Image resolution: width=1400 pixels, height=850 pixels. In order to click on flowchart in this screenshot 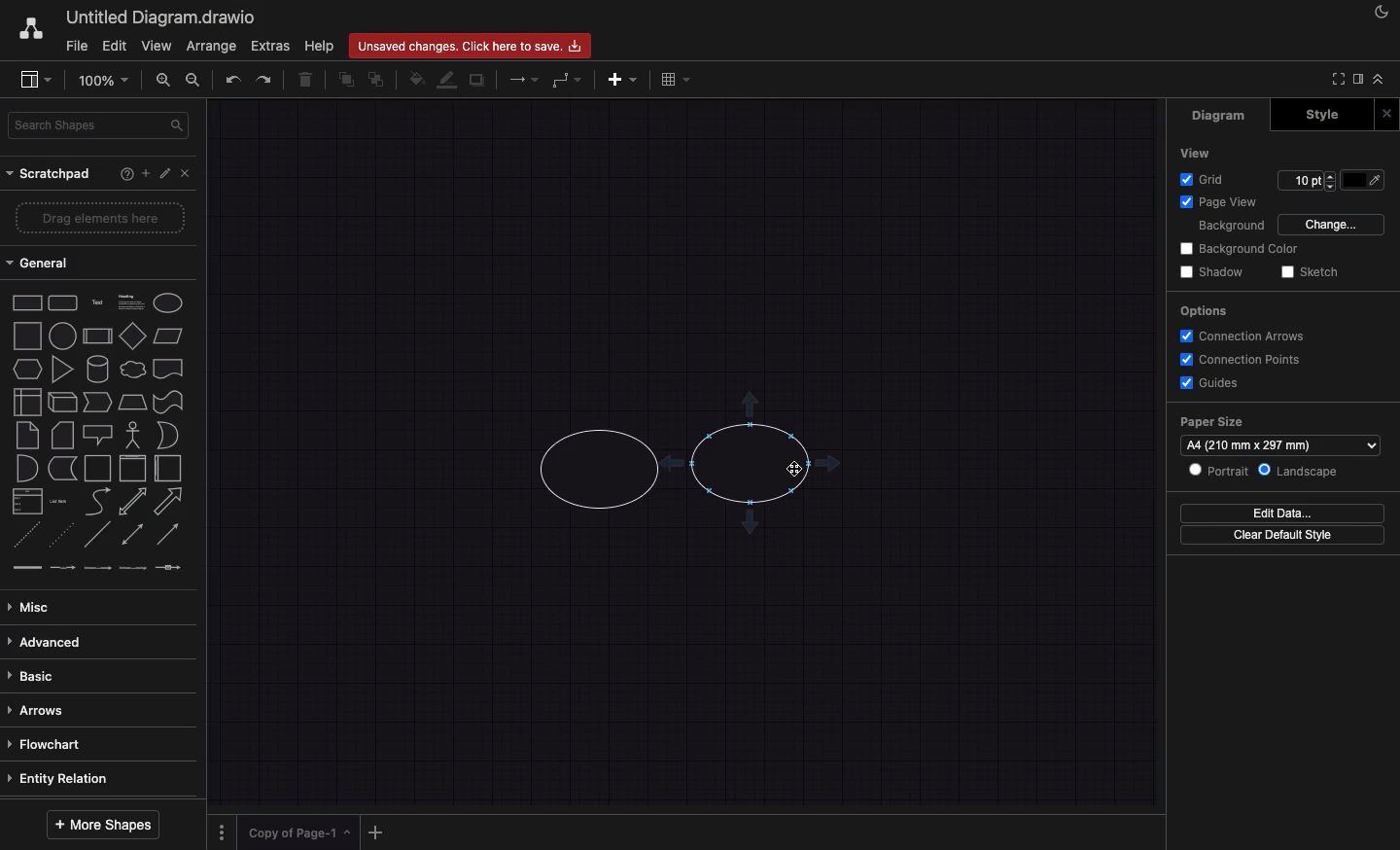, I will do `click(95, 747)`.